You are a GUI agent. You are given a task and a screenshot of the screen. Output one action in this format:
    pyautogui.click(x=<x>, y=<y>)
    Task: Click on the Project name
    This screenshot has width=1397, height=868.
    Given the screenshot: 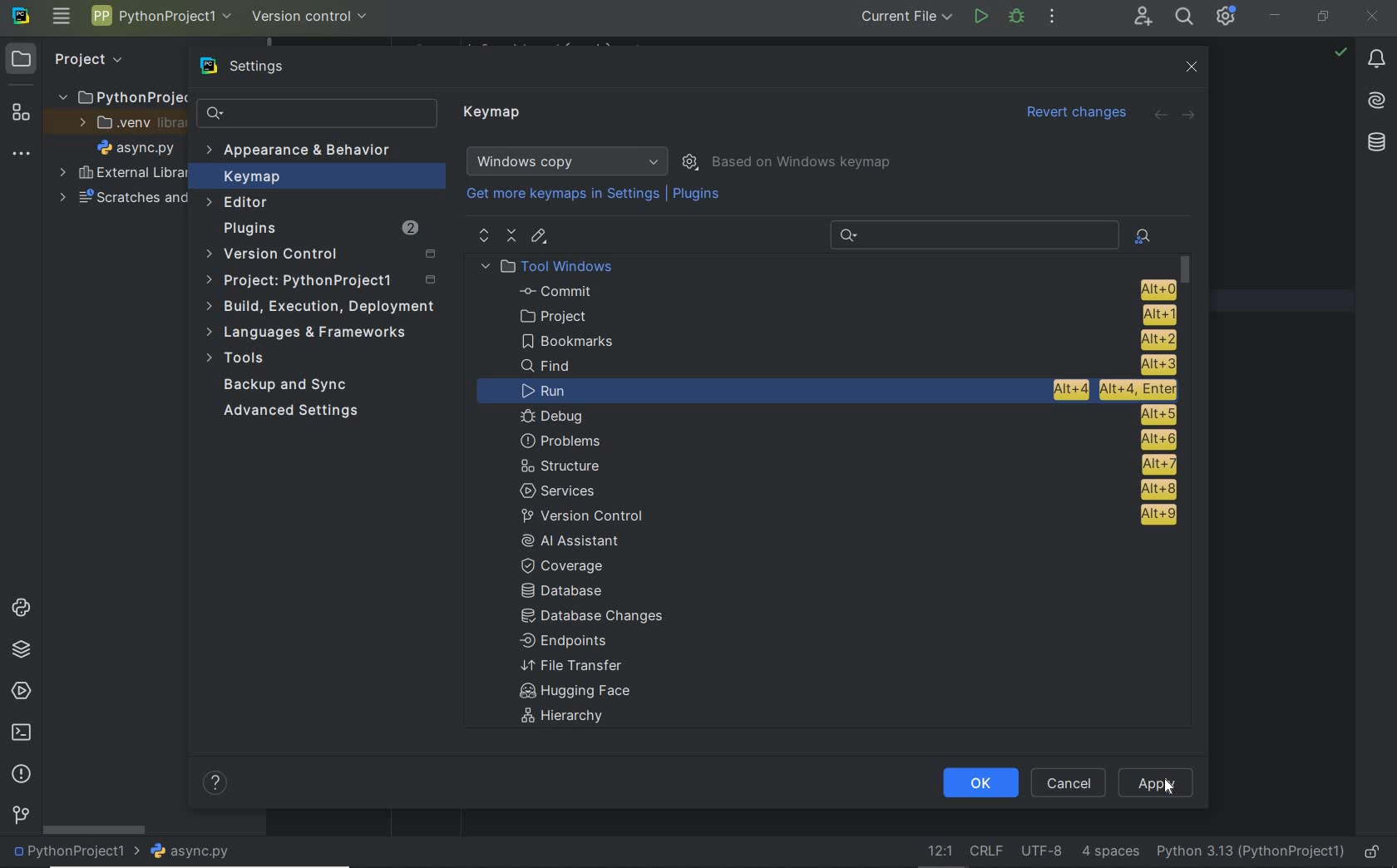 What is the action you would take?
    pyautogui.click(x=161, y=19)
    